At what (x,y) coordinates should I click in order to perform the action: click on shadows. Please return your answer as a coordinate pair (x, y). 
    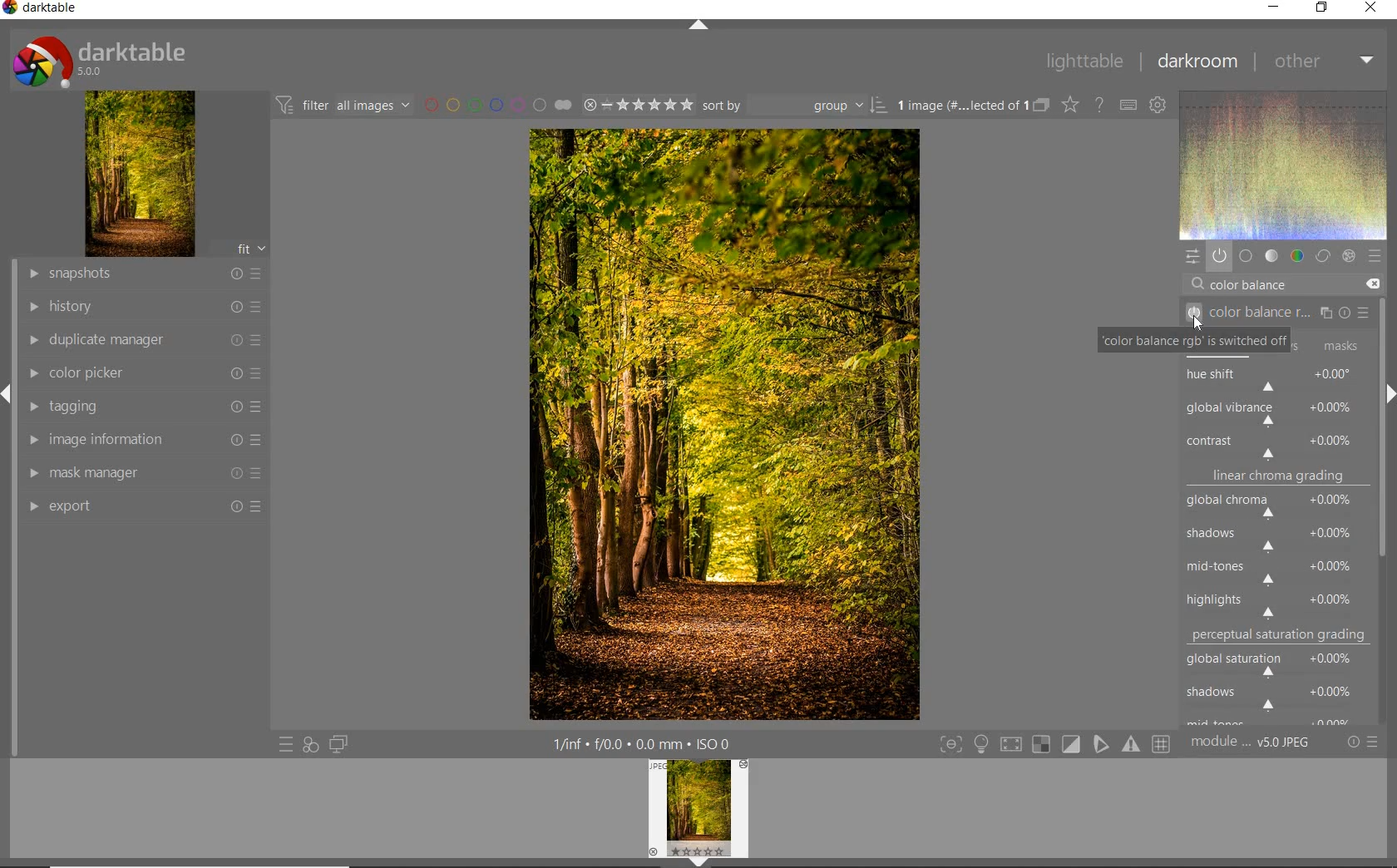
    Looking at the image, I should click on (1275, 540).